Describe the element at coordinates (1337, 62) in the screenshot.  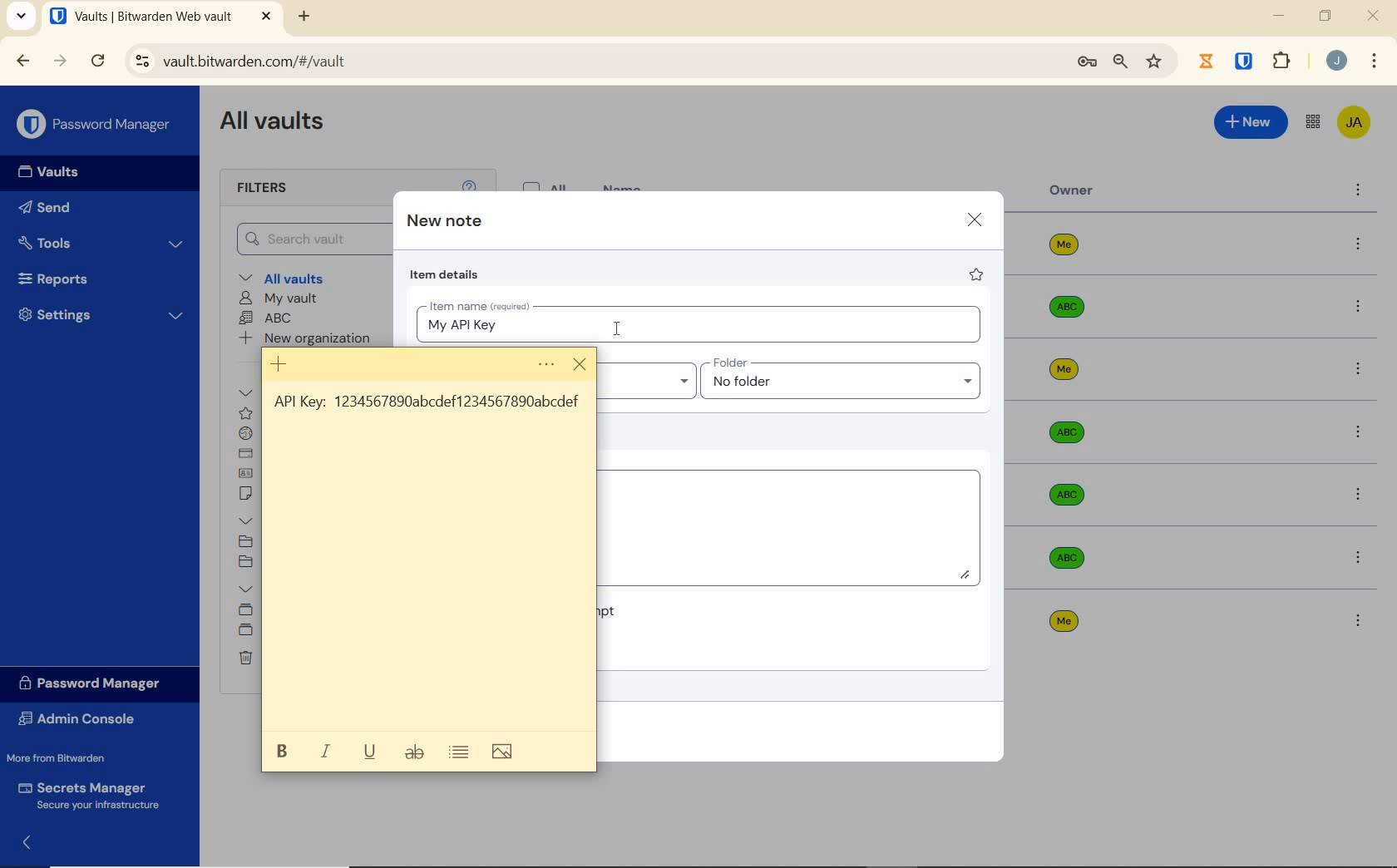
I see `Account` at that location.